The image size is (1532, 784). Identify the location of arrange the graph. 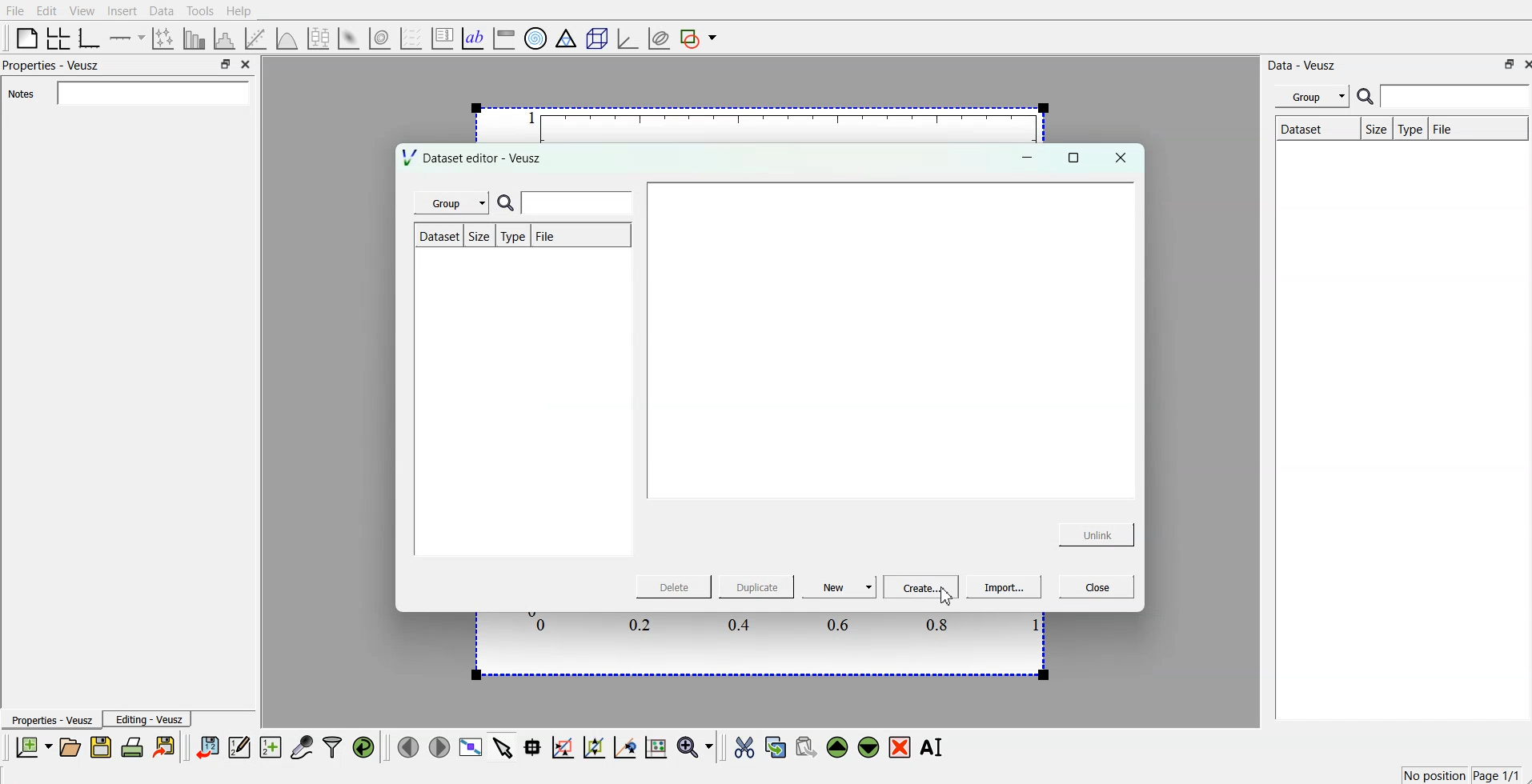
(59, 37).